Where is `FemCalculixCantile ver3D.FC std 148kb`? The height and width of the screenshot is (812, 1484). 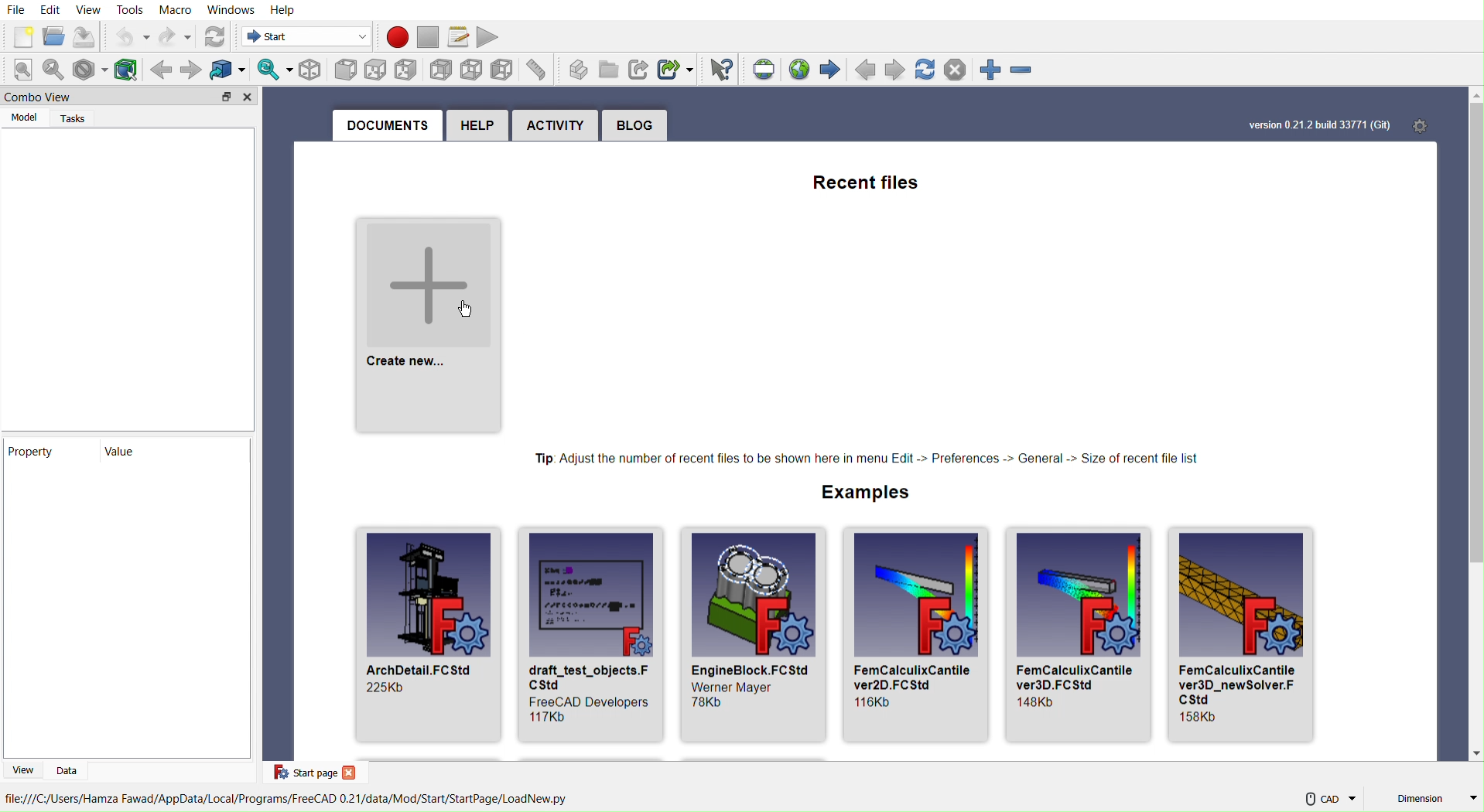 FemCalculixCantile ver3D.FC std 148kb is located at coordinates (1081, 636).